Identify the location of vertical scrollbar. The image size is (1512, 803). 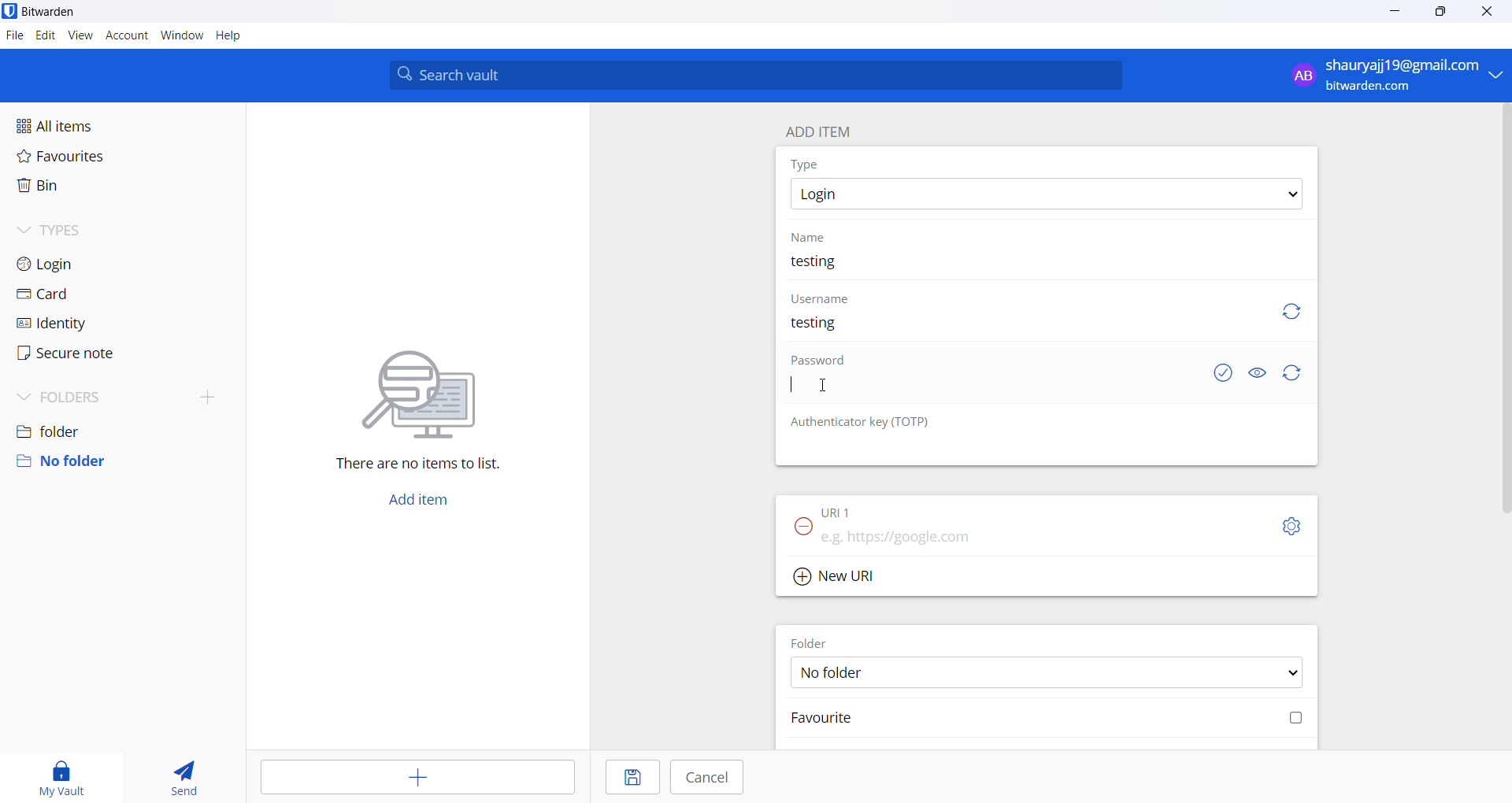
(1503, 309).